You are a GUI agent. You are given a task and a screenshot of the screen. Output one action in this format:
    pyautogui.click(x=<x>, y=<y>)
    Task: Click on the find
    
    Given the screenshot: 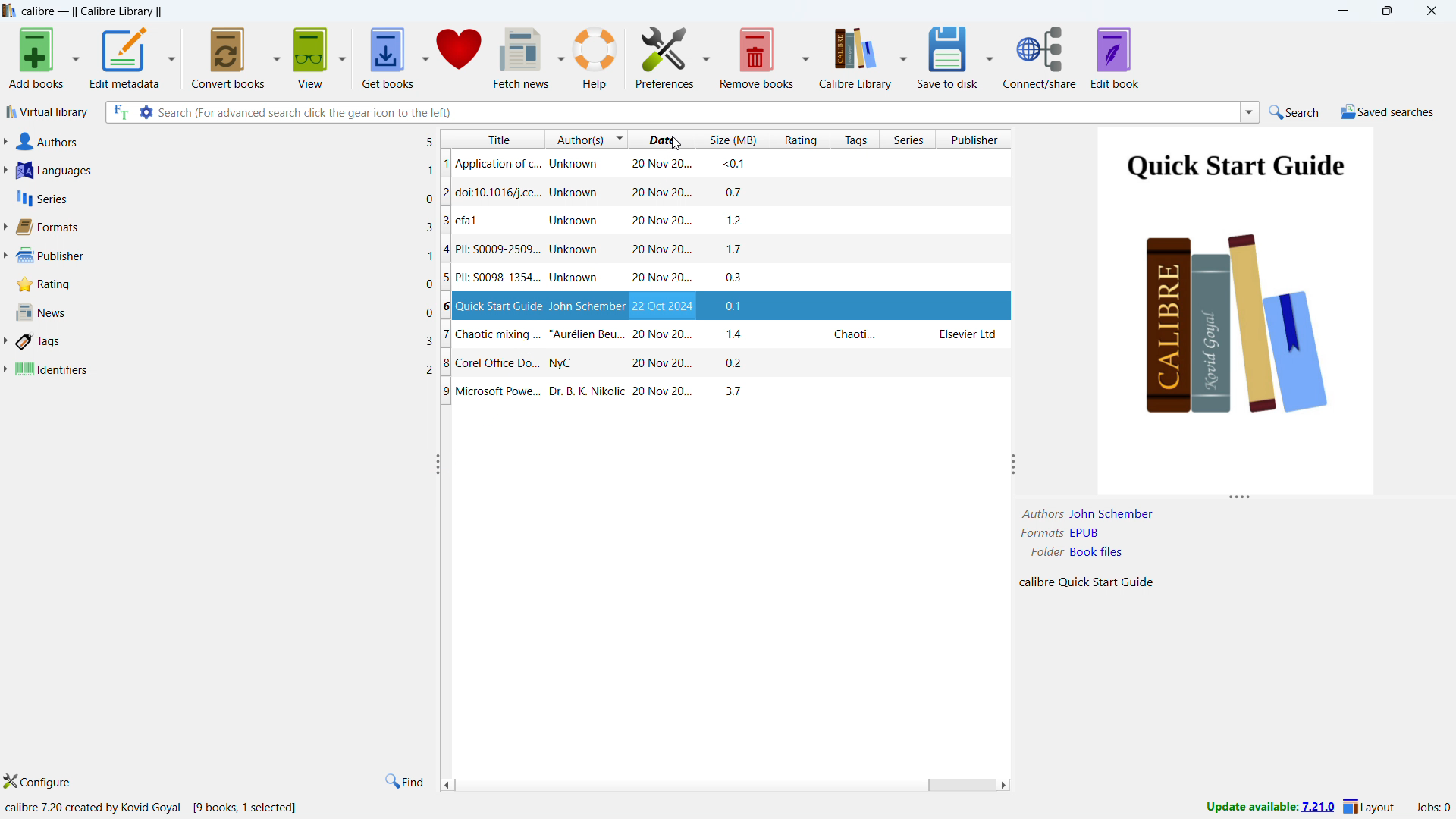 What is the action you would take?
    pyautogui.click(x=403, y=782)
    